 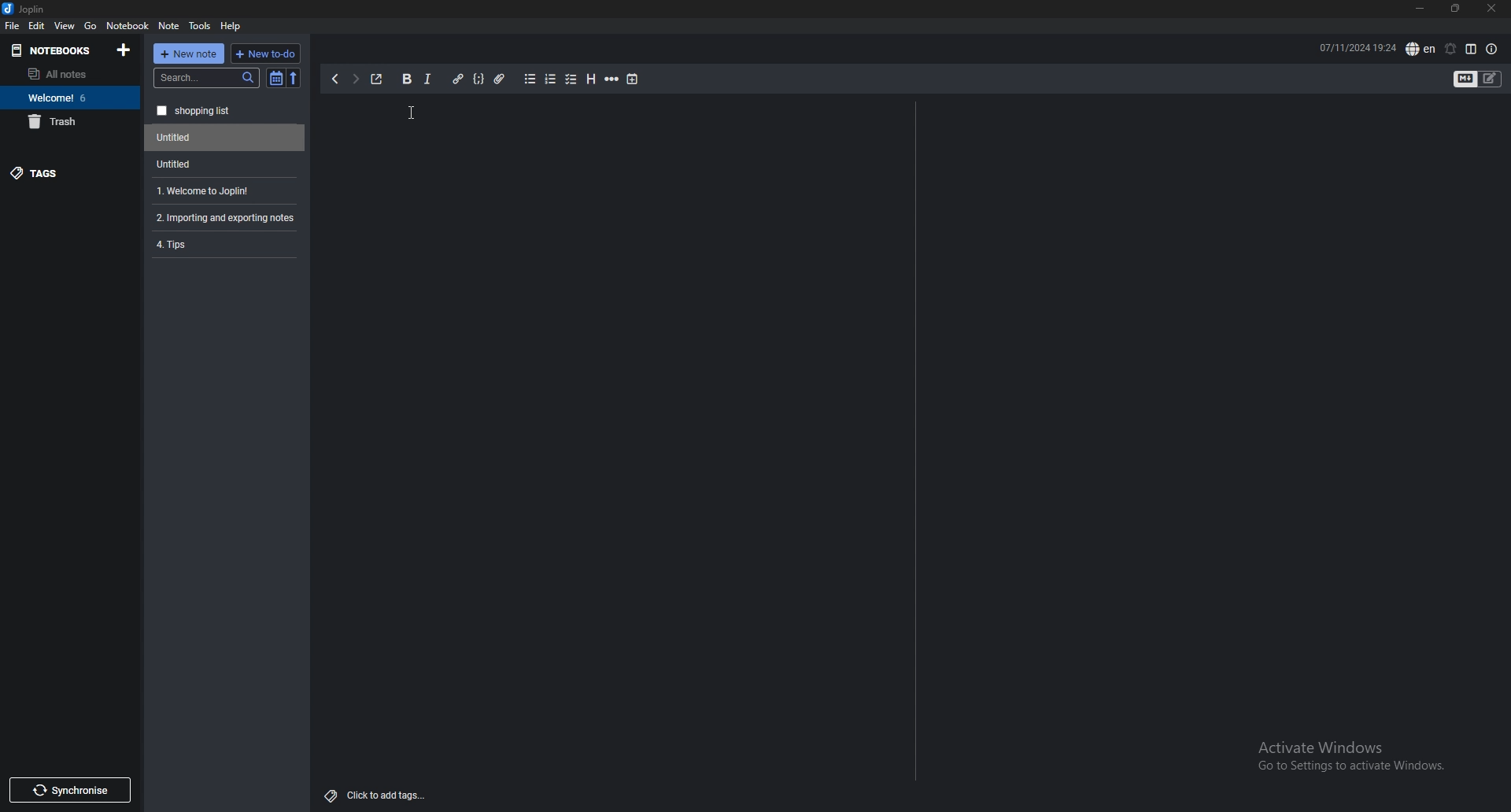 I want to click on note, so click(x=169, y=26).